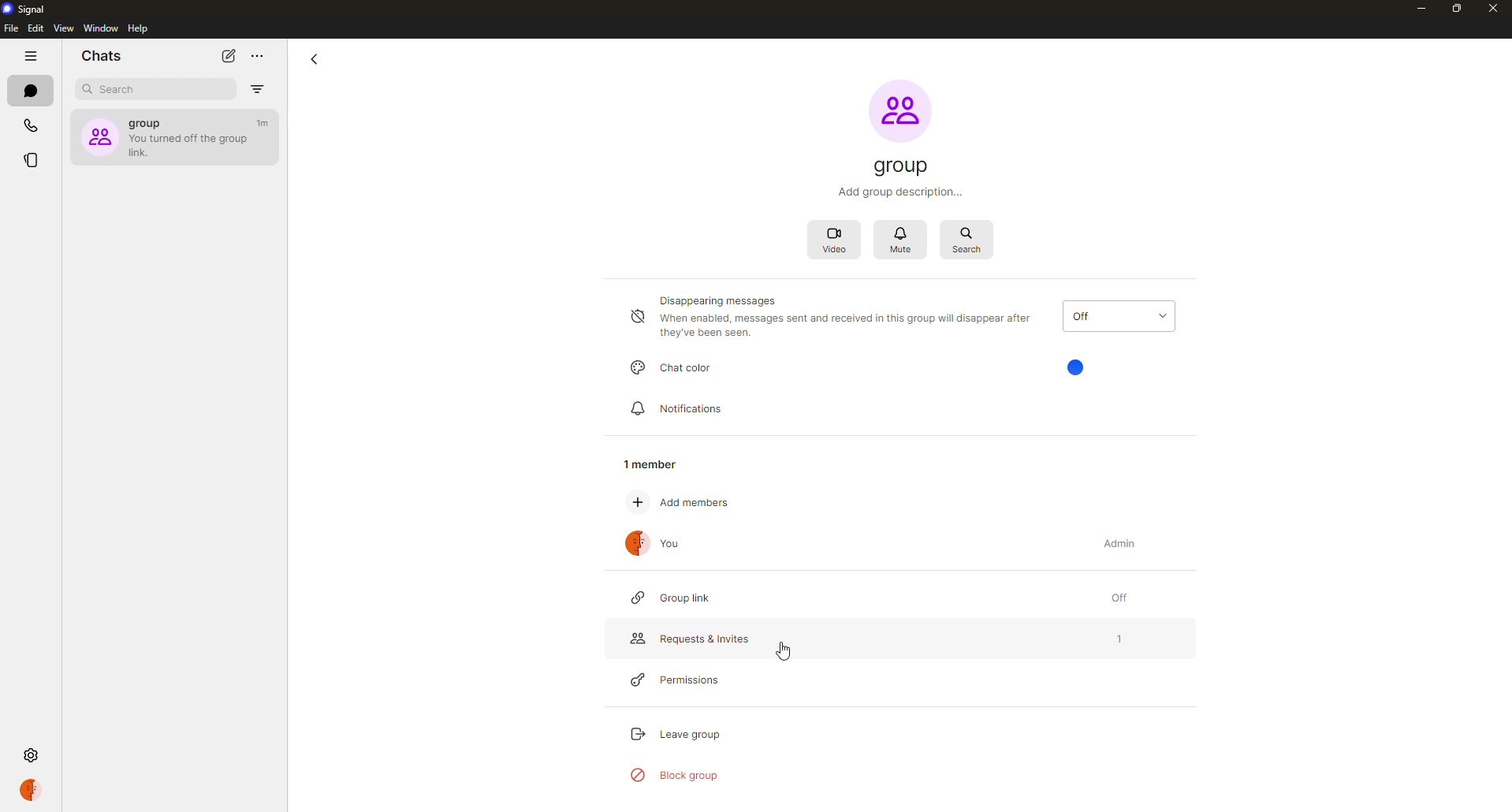  I want to click on cursor, so click(785, 652).